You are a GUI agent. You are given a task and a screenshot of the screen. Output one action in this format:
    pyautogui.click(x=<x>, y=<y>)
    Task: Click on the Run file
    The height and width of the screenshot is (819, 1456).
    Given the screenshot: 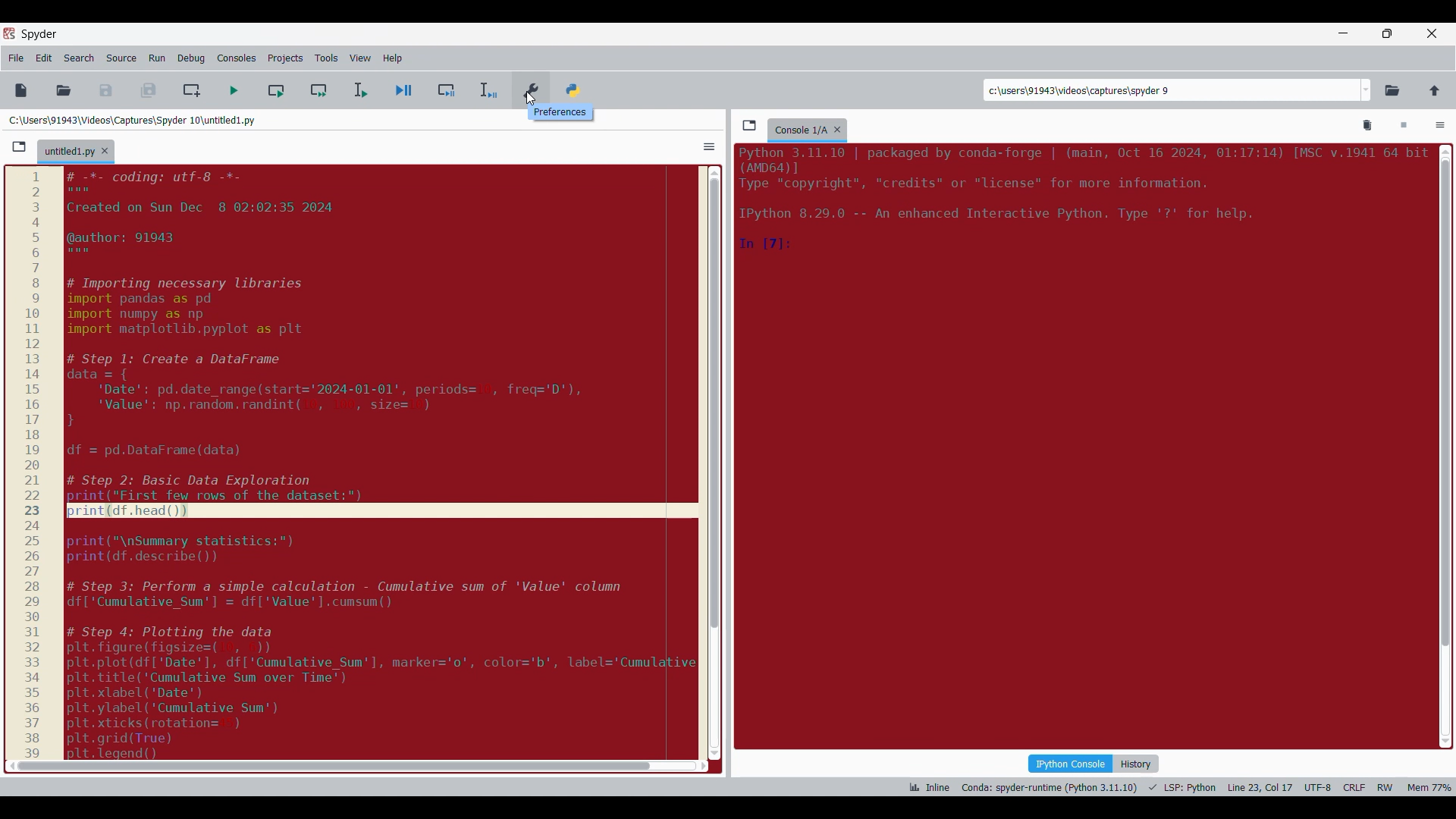 What is the action you would take?
    pyautogui.click(x=234, y=90)
    